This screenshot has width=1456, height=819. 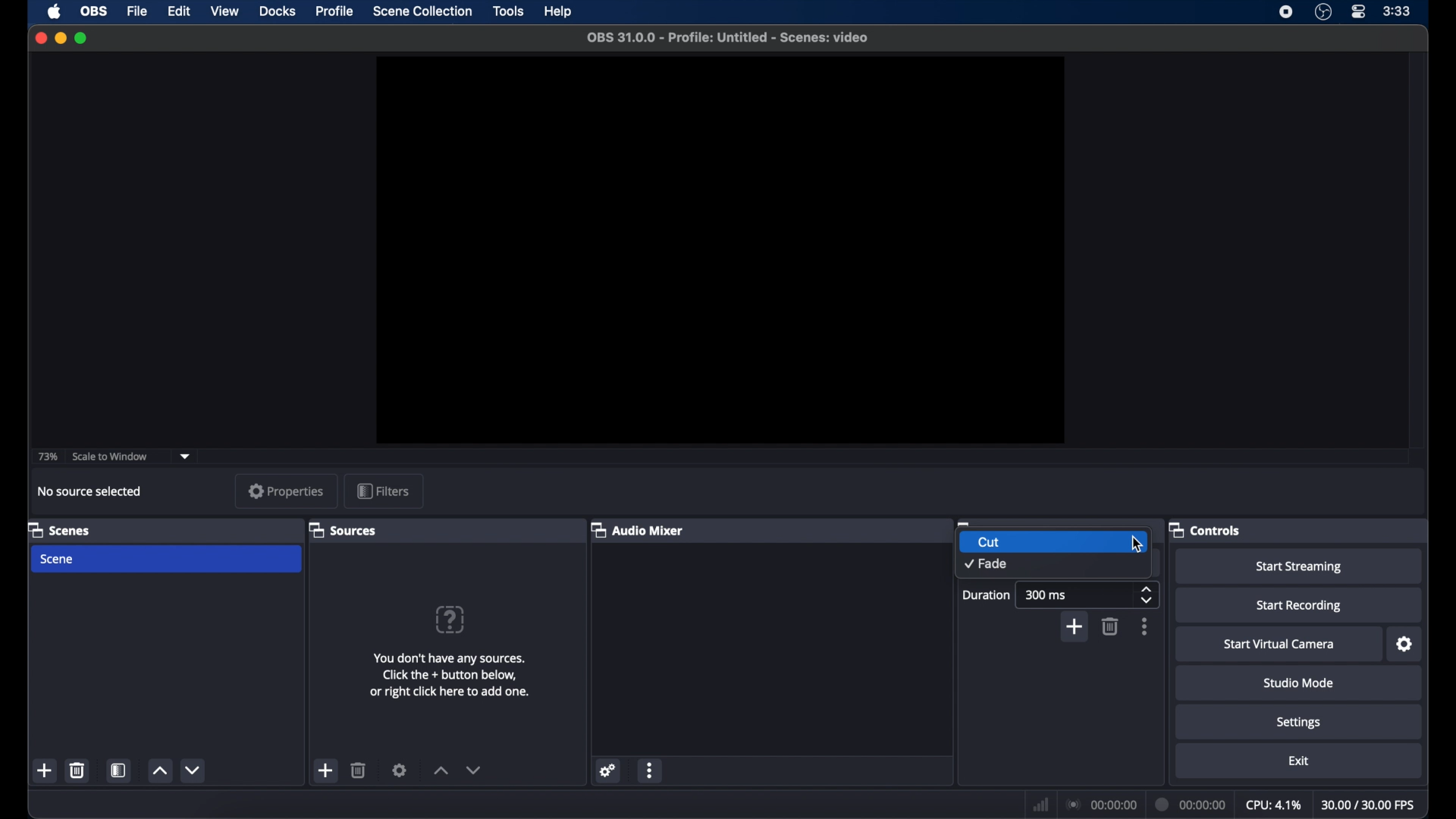 What do you see at coordinates (1046, 594) in the screenshot?
I see `300 ms` at bounding box center [1046, 594].